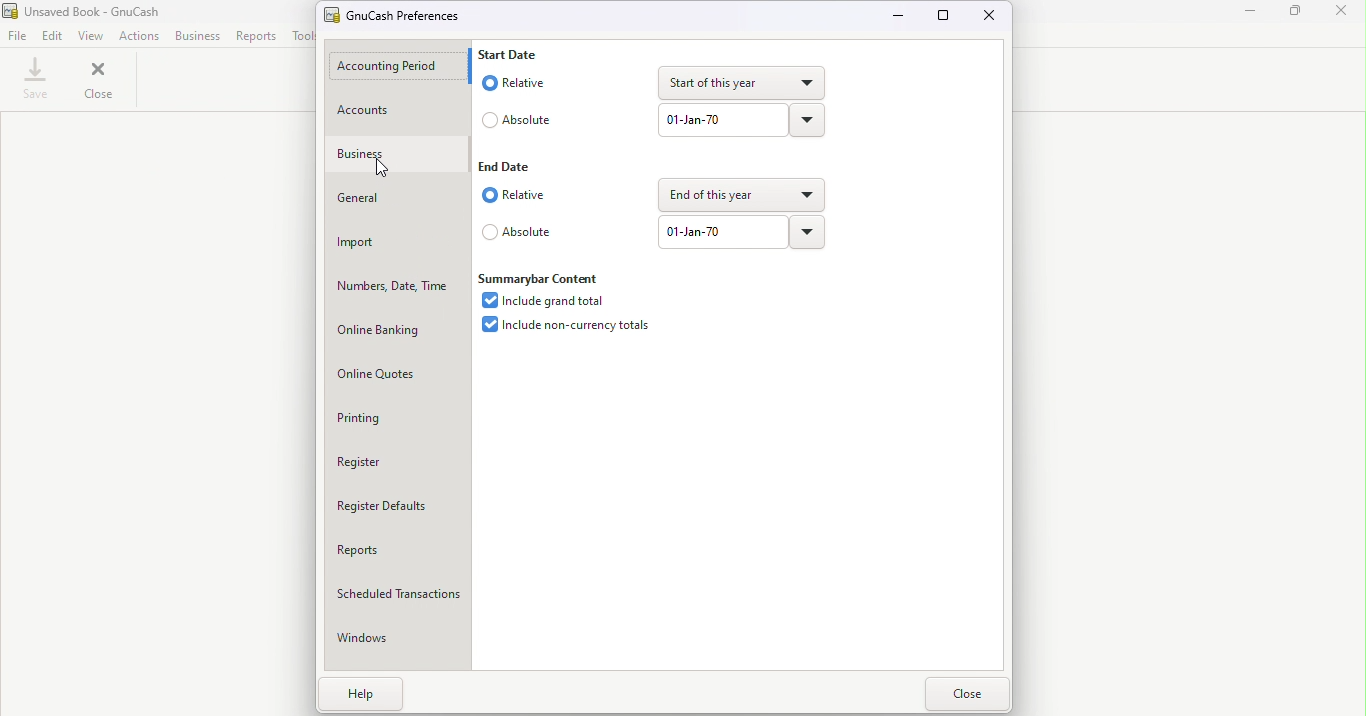  Describe the element at coordinates (138, 36) in the screenshot. I see `Actions` at that location.